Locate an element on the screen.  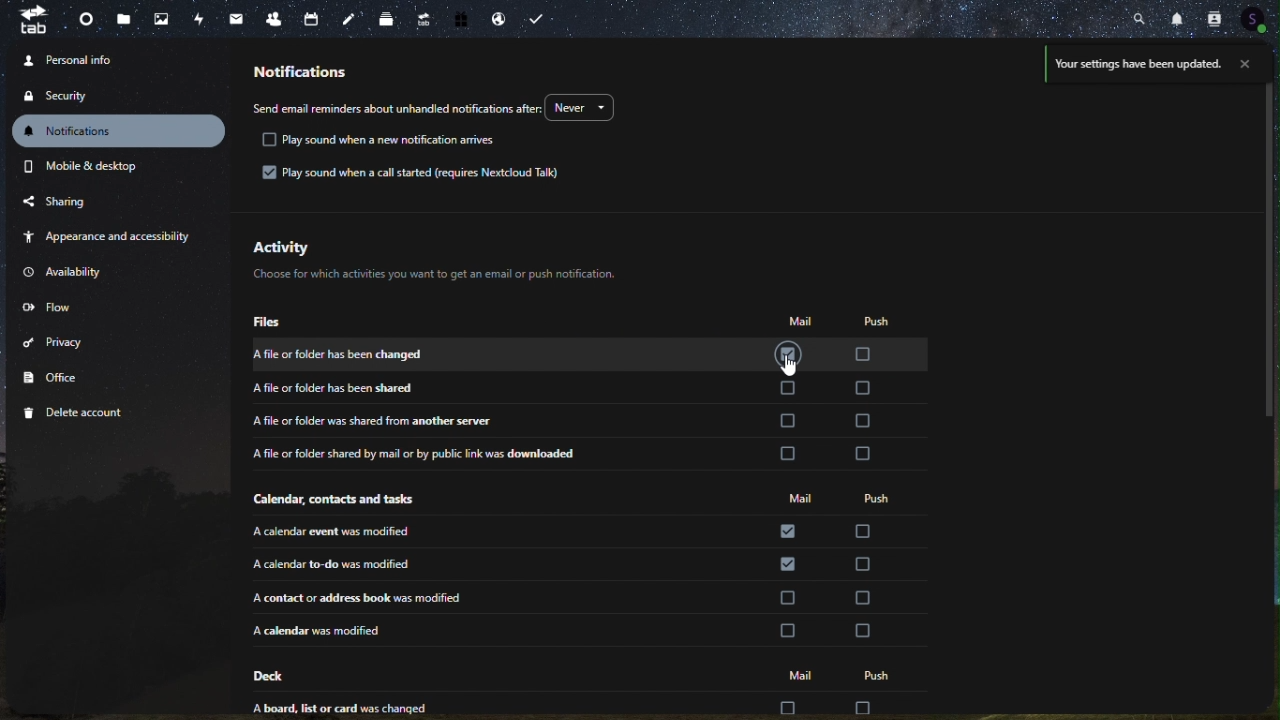
files is located at coordinates (272, 321).